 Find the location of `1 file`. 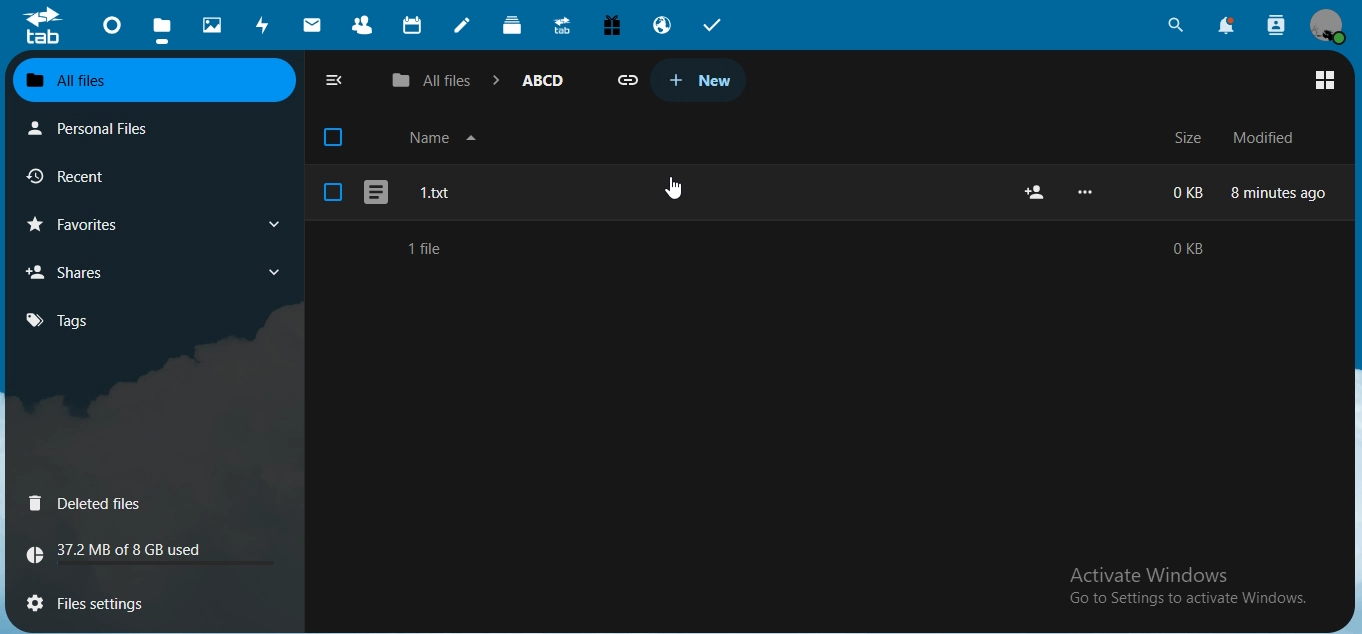

1 file is located at coordinates (418, 248).